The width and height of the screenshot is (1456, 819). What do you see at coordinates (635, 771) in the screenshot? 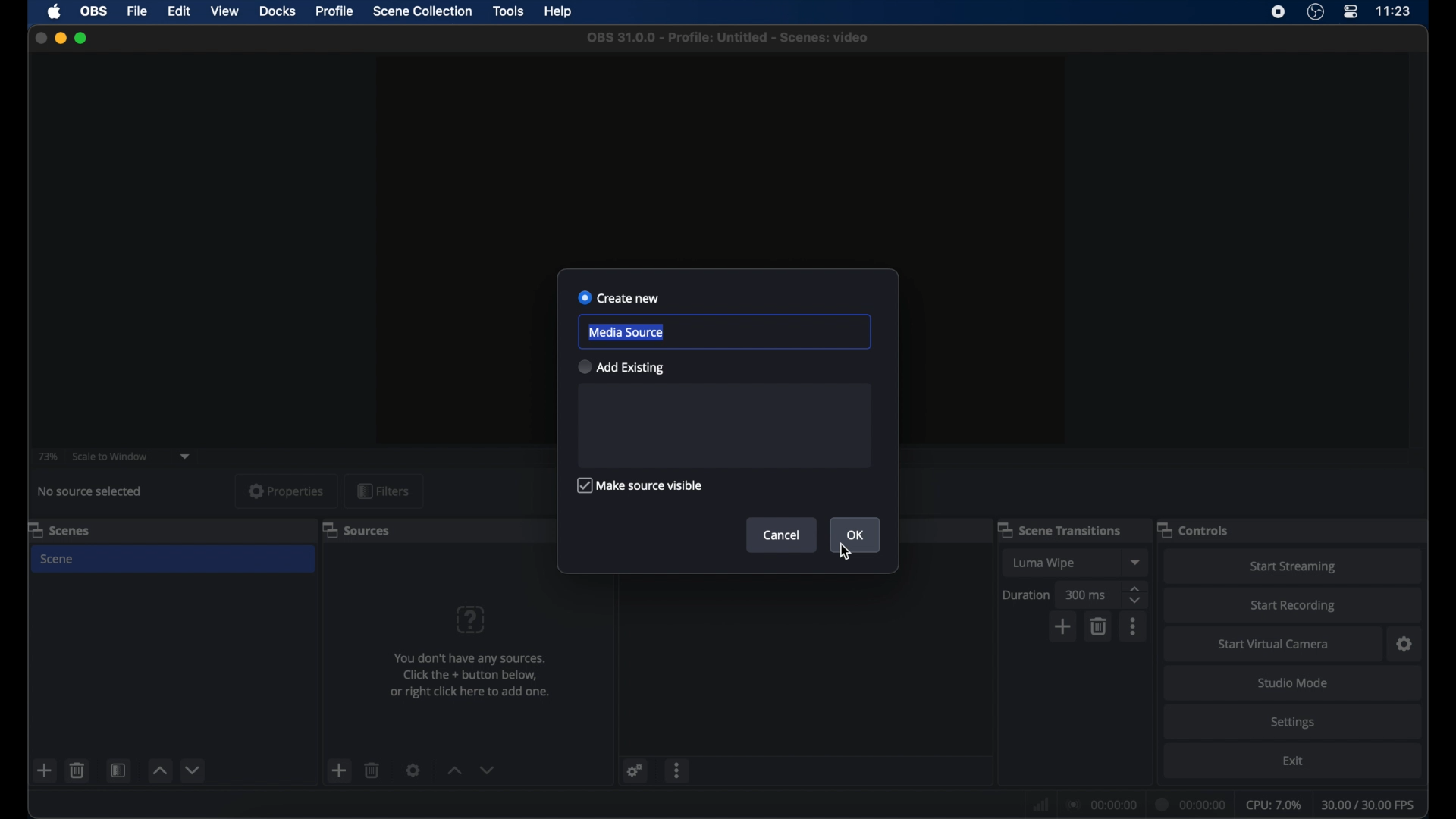
I see `settings` at bounding box center [635, 771].